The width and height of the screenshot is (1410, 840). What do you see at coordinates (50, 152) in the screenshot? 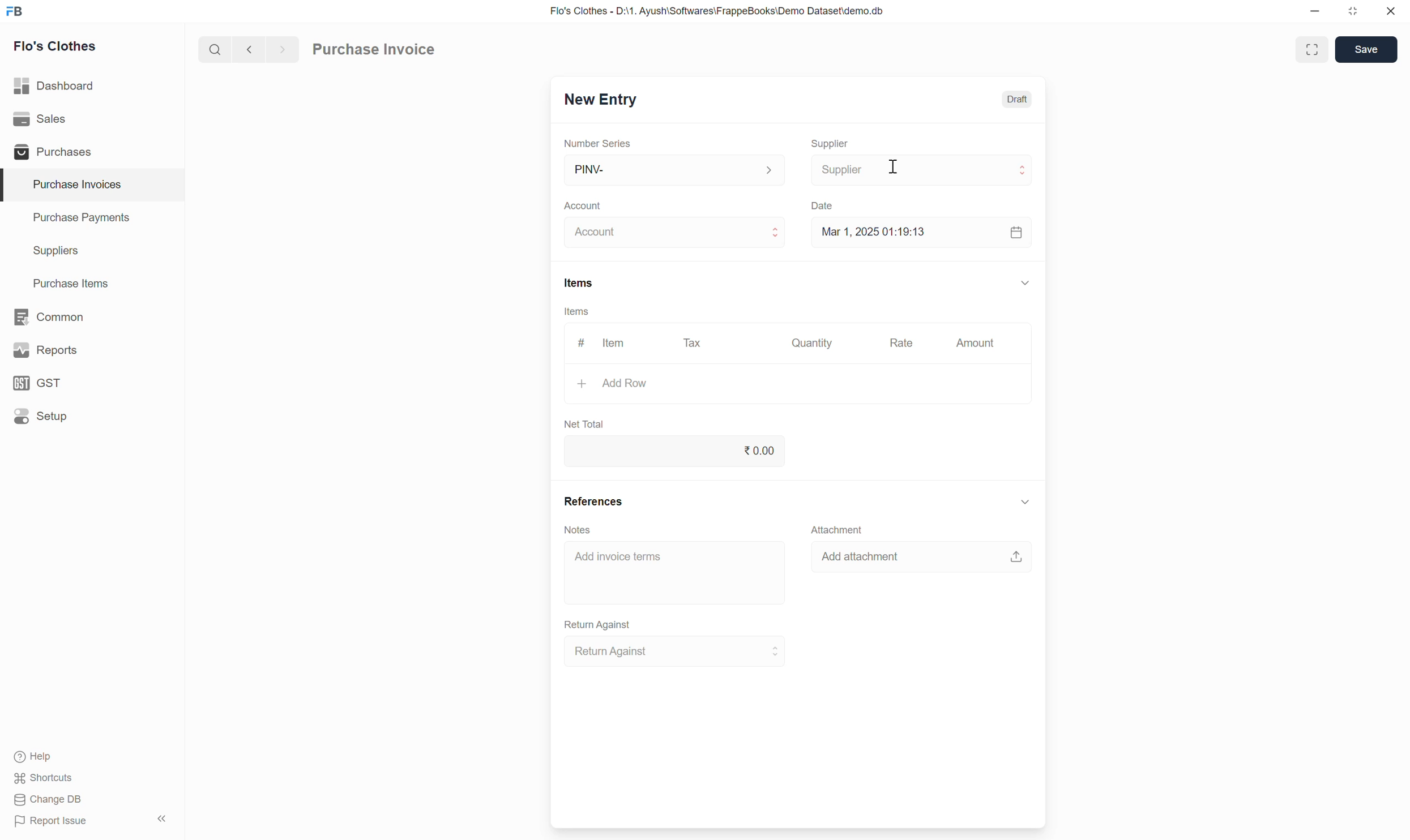
I see `Purchases` at bounding box center [50, 152].